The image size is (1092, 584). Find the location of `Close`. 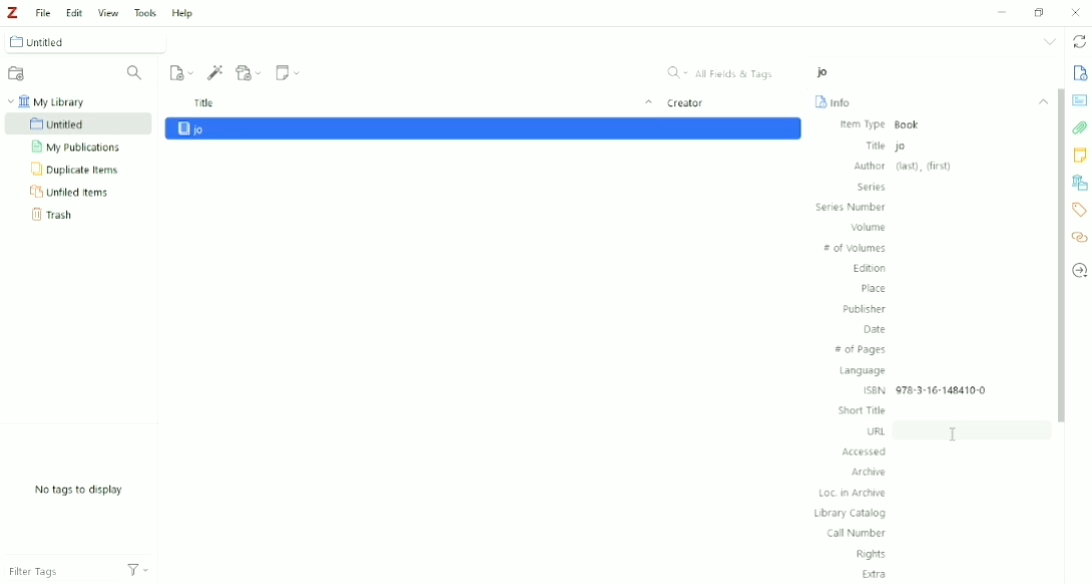

Close is located at coordinates (1074, 12).